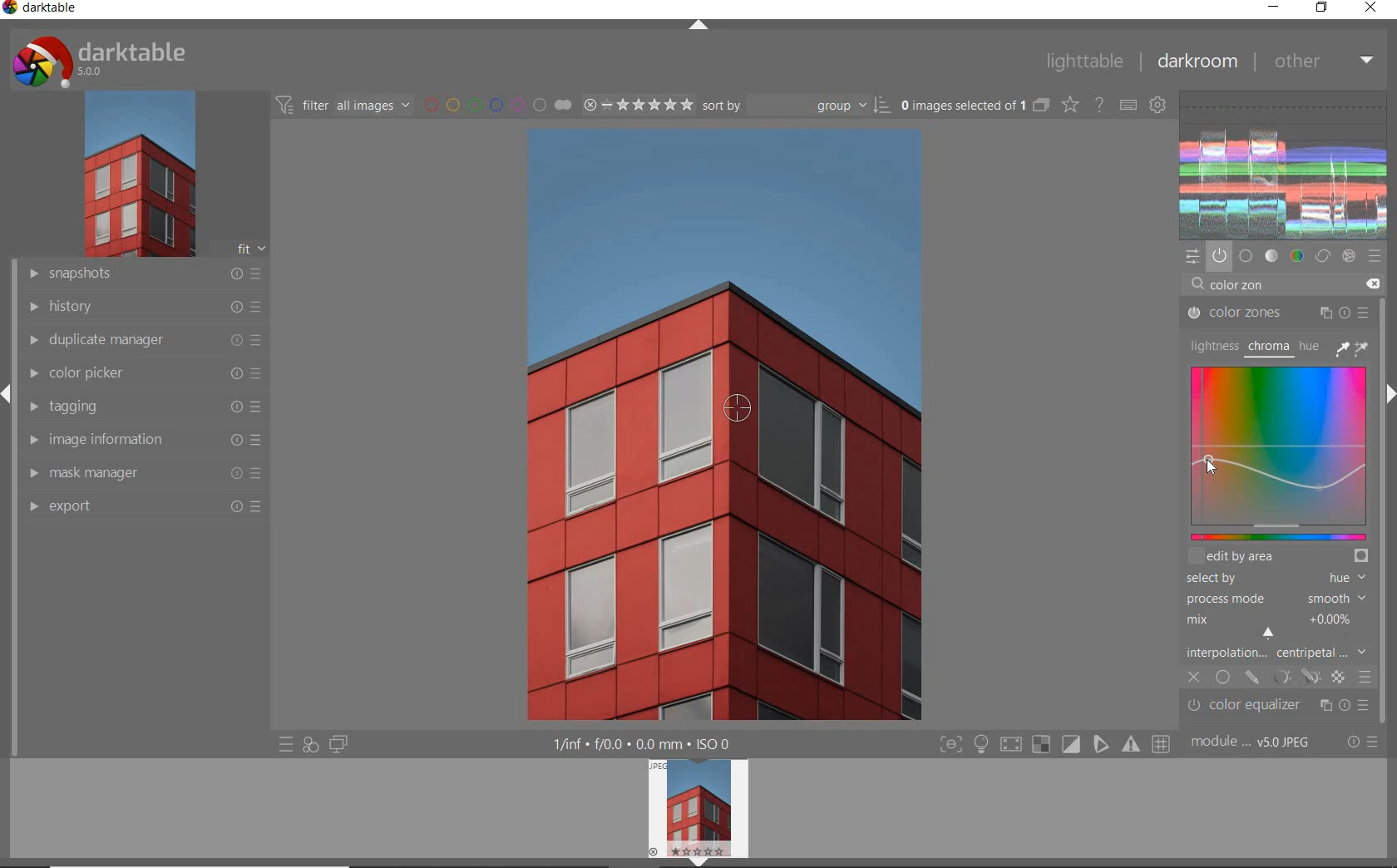 The width and height of the screenshot is (1397, 868). Describe the element at coordinates (338, 742) in the screenshot. I see `display a second darkroom image widow` at that location.